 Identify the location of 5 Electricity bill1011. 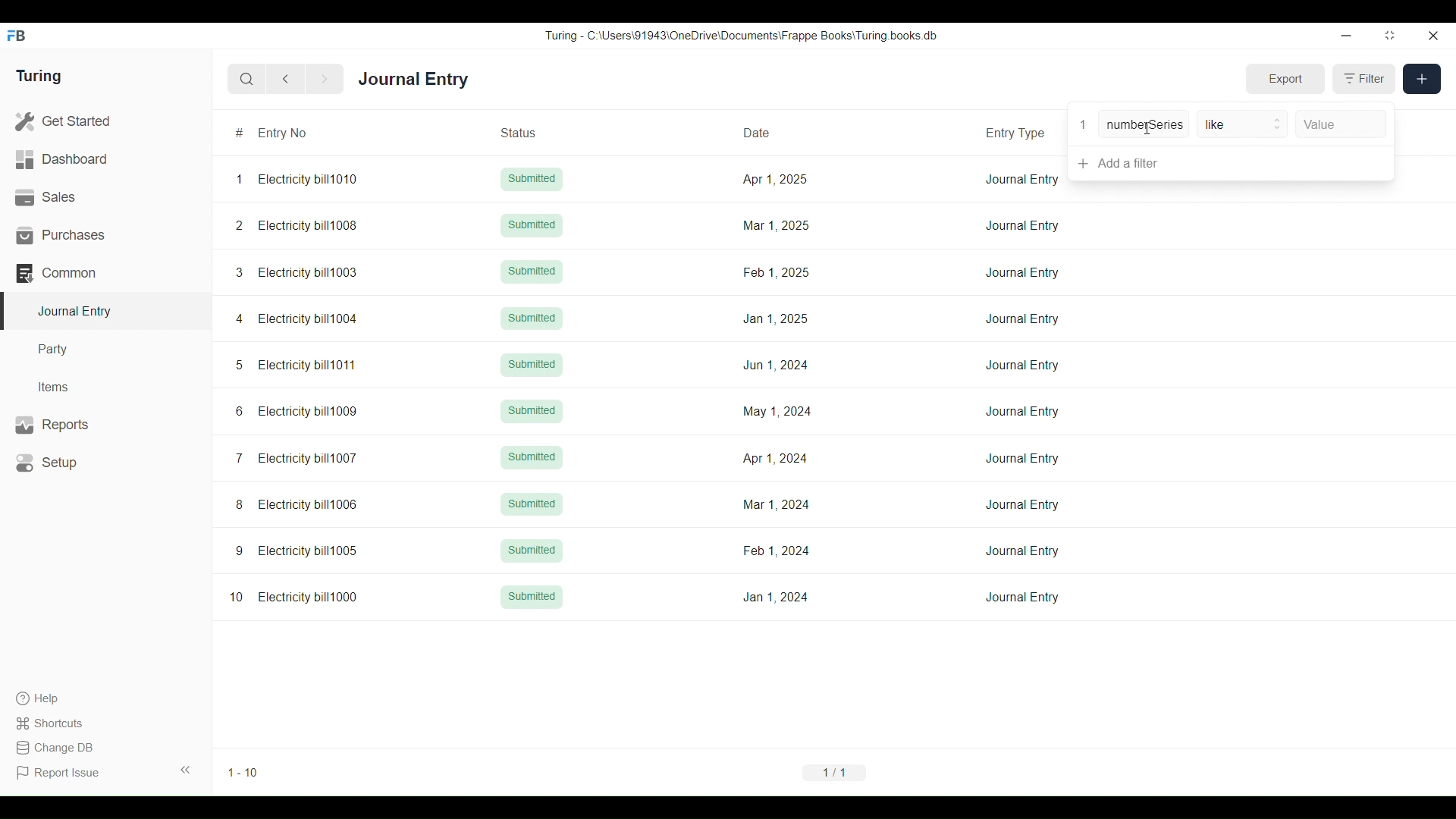
(295, 366).